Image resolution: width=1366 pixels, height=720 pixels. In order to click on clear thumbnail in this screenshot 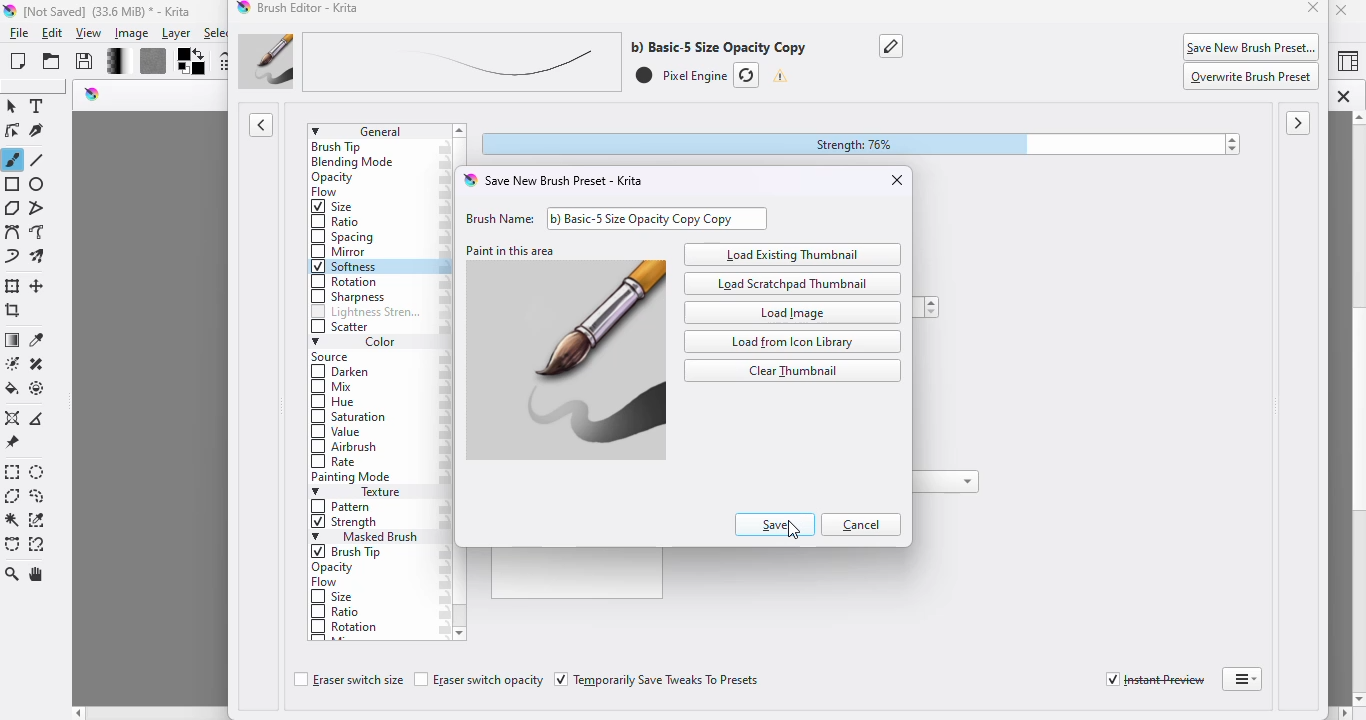, I will do `click(792, 371)`.